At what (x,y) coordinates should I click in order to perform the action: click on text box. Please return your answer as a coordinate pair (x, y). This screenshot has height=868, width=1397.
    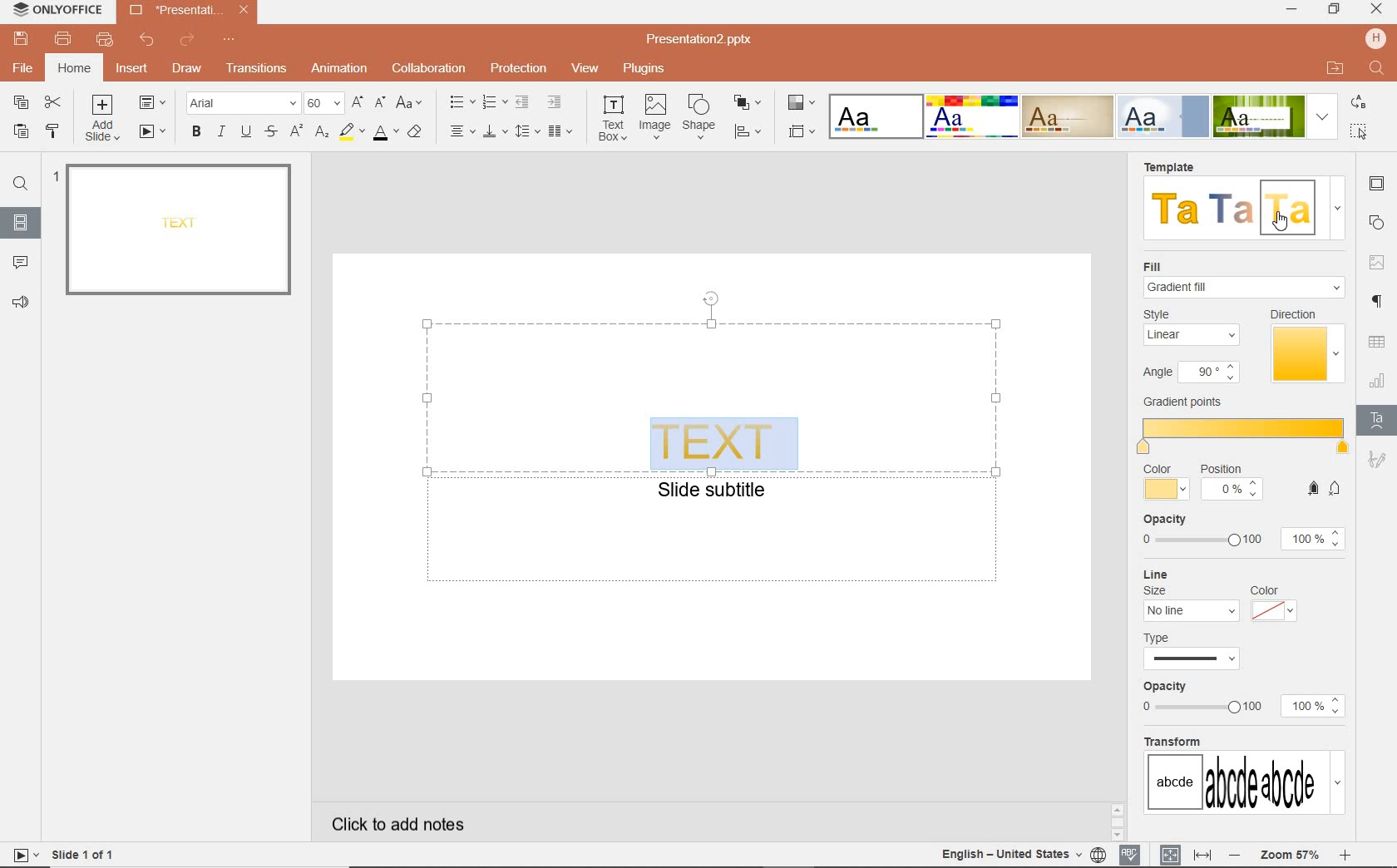
    Looking at the image, I should click on (614, 119).